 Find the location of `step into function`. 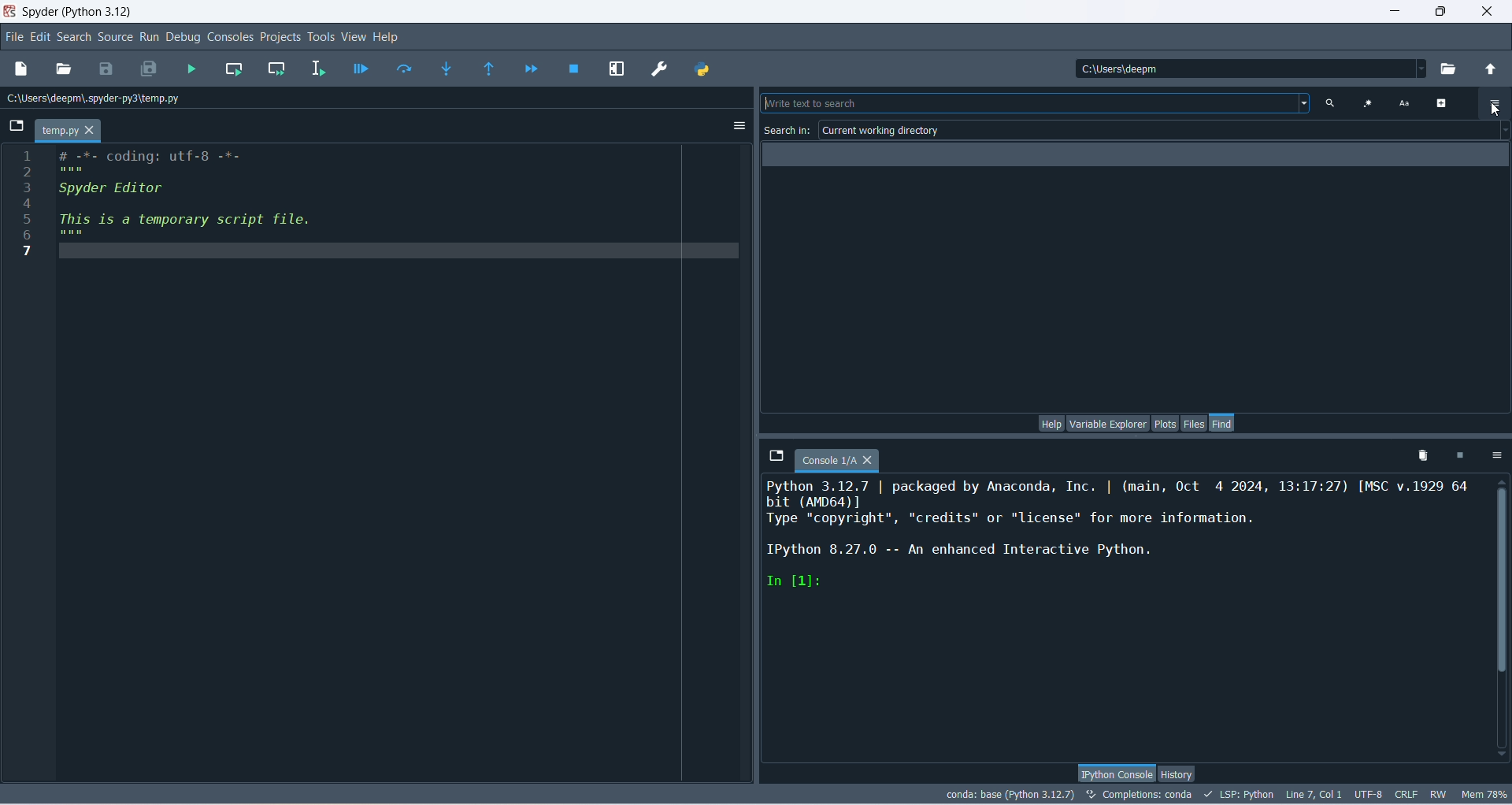

step into function is located at coordinates (448, 69).